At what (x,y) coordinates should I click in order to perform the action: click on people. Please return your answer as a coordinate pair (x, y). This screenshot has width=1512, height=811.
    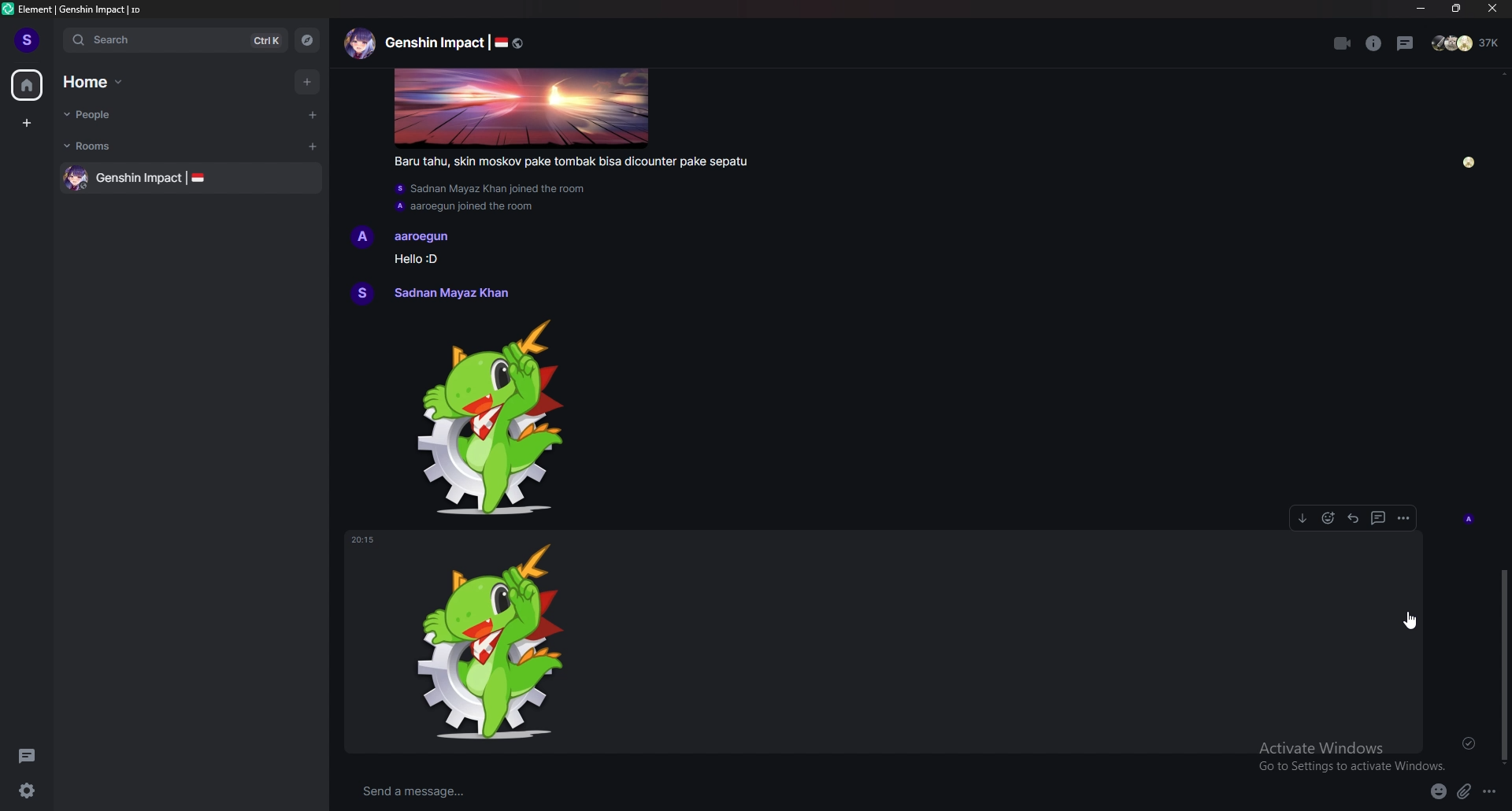
    Looking at the image, I should click on (111, 114).